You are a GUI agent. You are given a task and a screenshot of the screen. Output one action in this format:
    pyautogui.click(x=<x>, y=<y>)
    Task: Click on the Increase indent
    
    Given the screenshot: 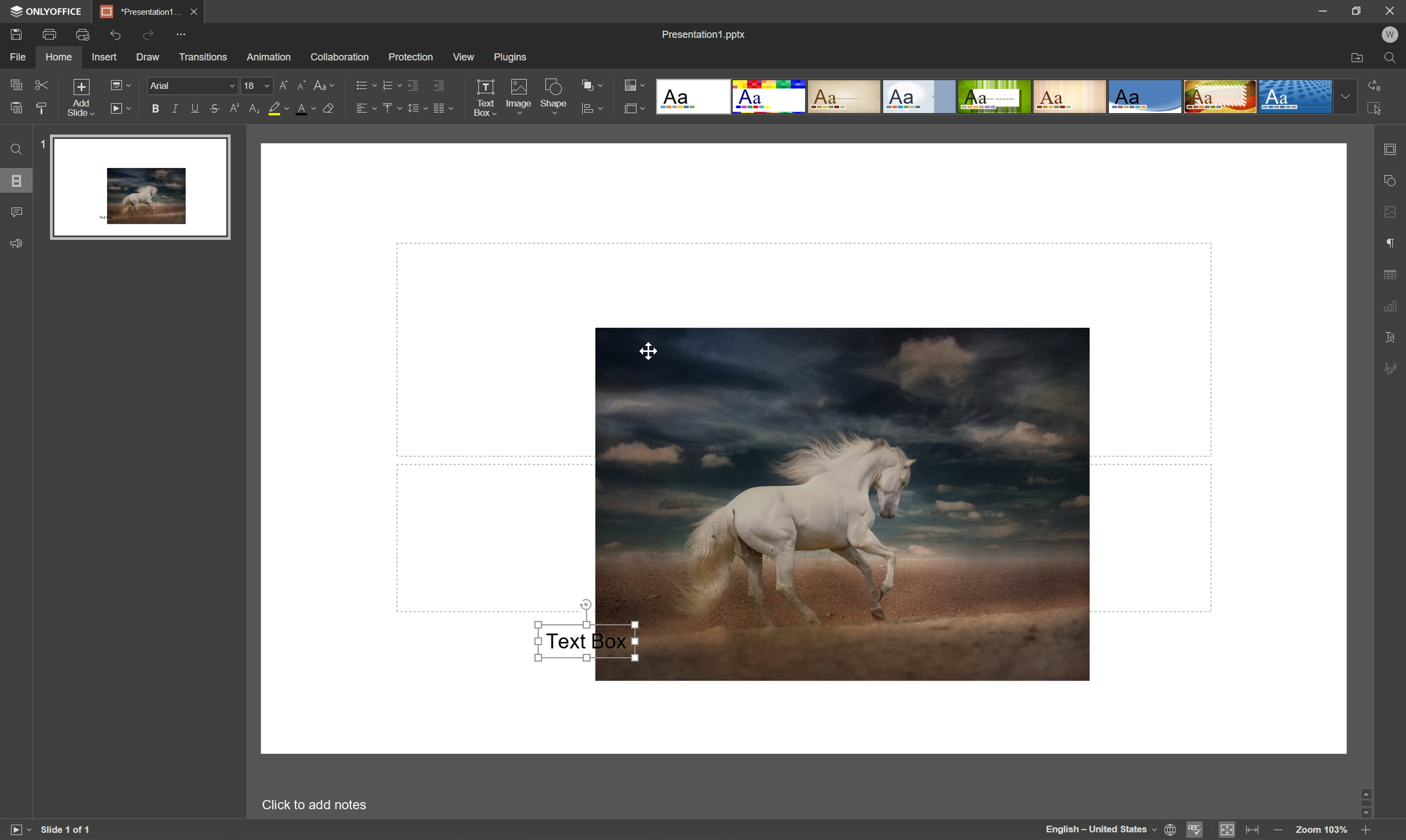 What is the action you would take?
    pyautogui.click(x=441, y=82)
    